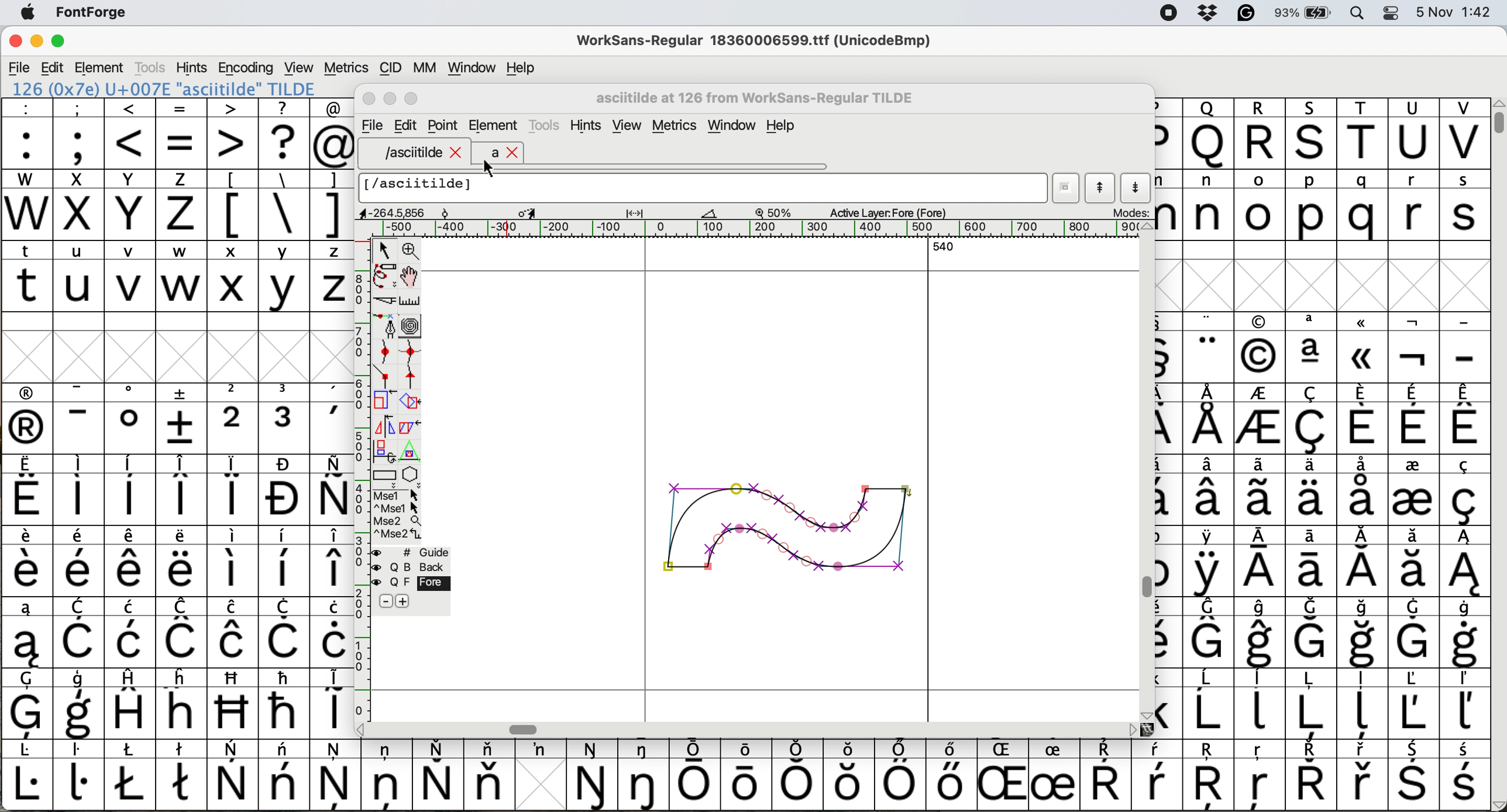 Image resolution: width=1507 pixels, height=812 pixels. What do you see at coordinates (1364, 12) in the screenshot?
I see `spotlight search` at bounding box center [1364, 12].